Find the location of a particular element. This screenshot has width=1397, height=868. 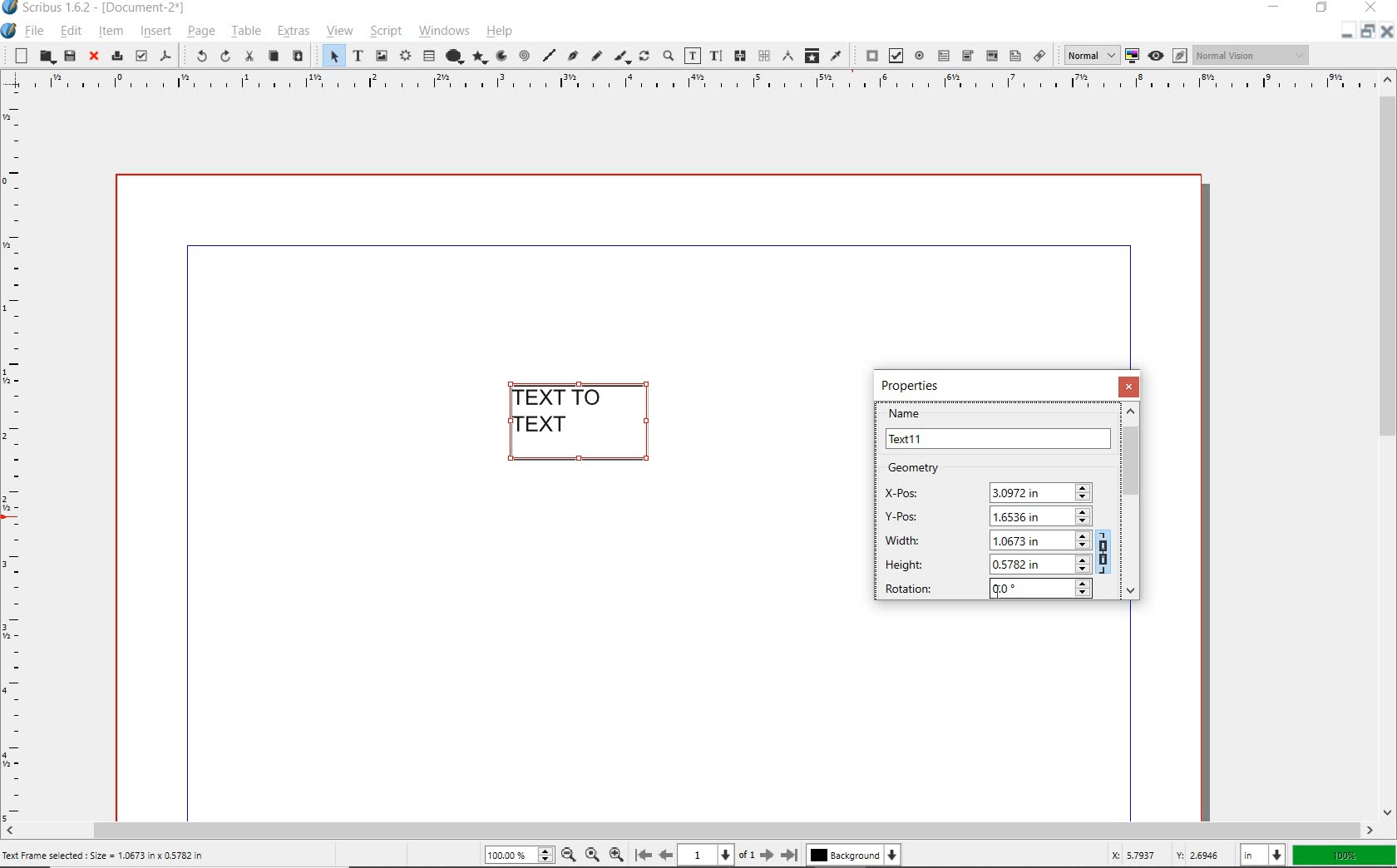

ROTATION is located at coordinates (985, 589).